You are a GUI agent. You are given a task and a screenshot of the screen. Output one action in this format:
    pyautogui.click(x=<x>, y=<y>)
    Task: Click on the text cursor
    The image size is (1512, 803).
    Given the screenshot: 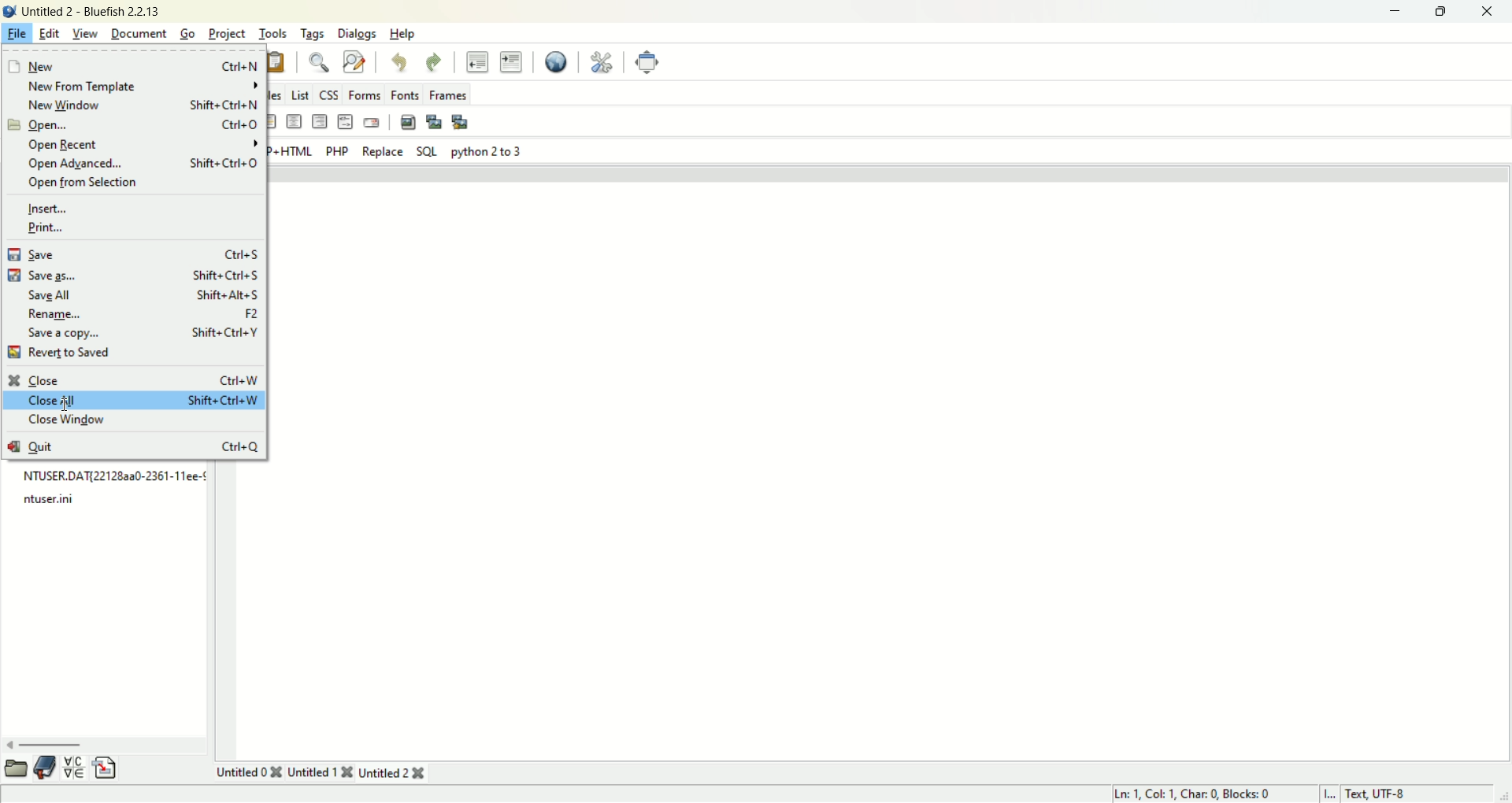 What is the action you would take?
    pyautogui.click(x=65, y=405)
    